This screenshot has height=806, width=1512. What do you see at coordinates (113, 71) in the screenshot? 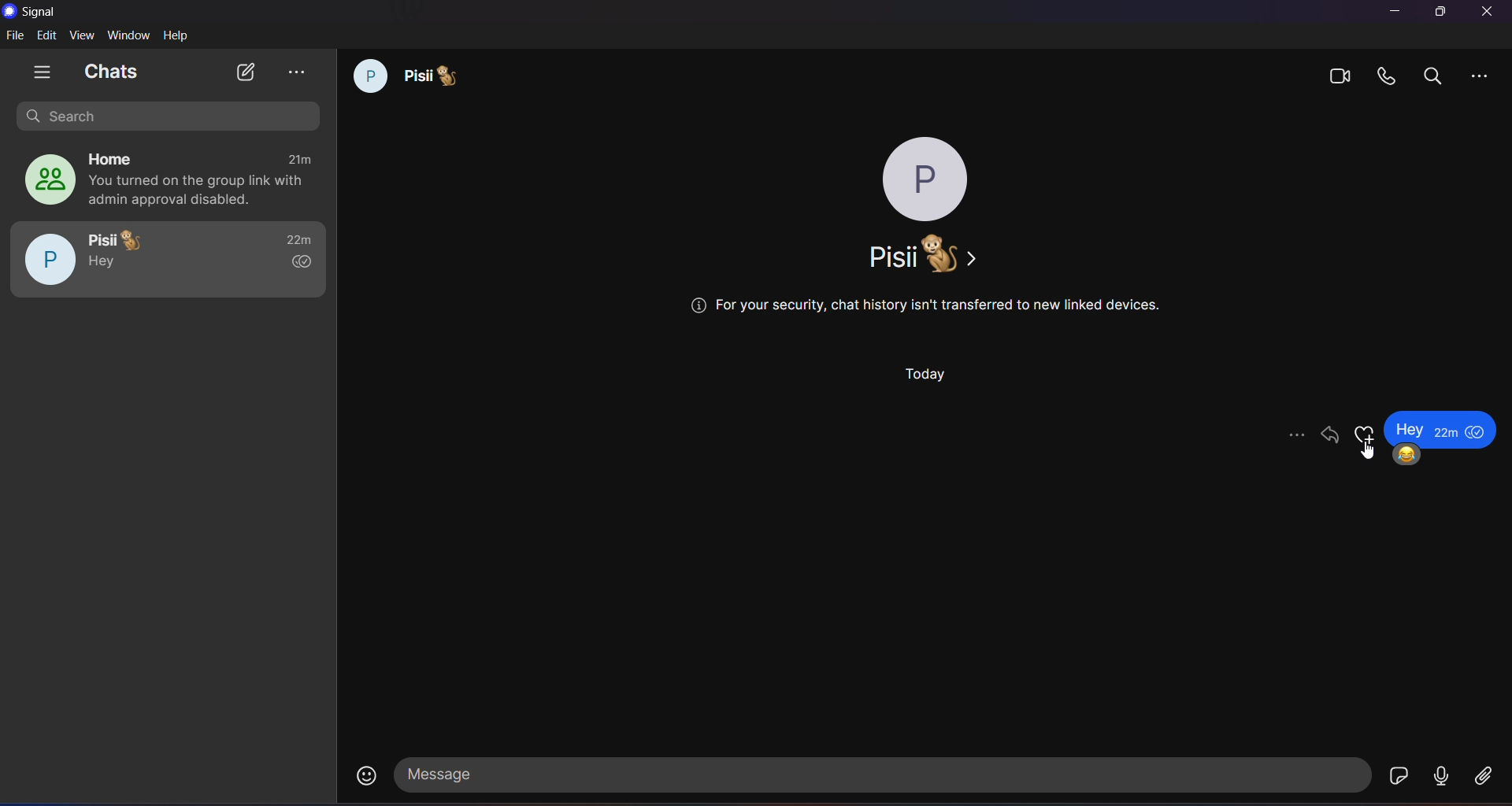
I see `chats` at bounding box center [113, 71].